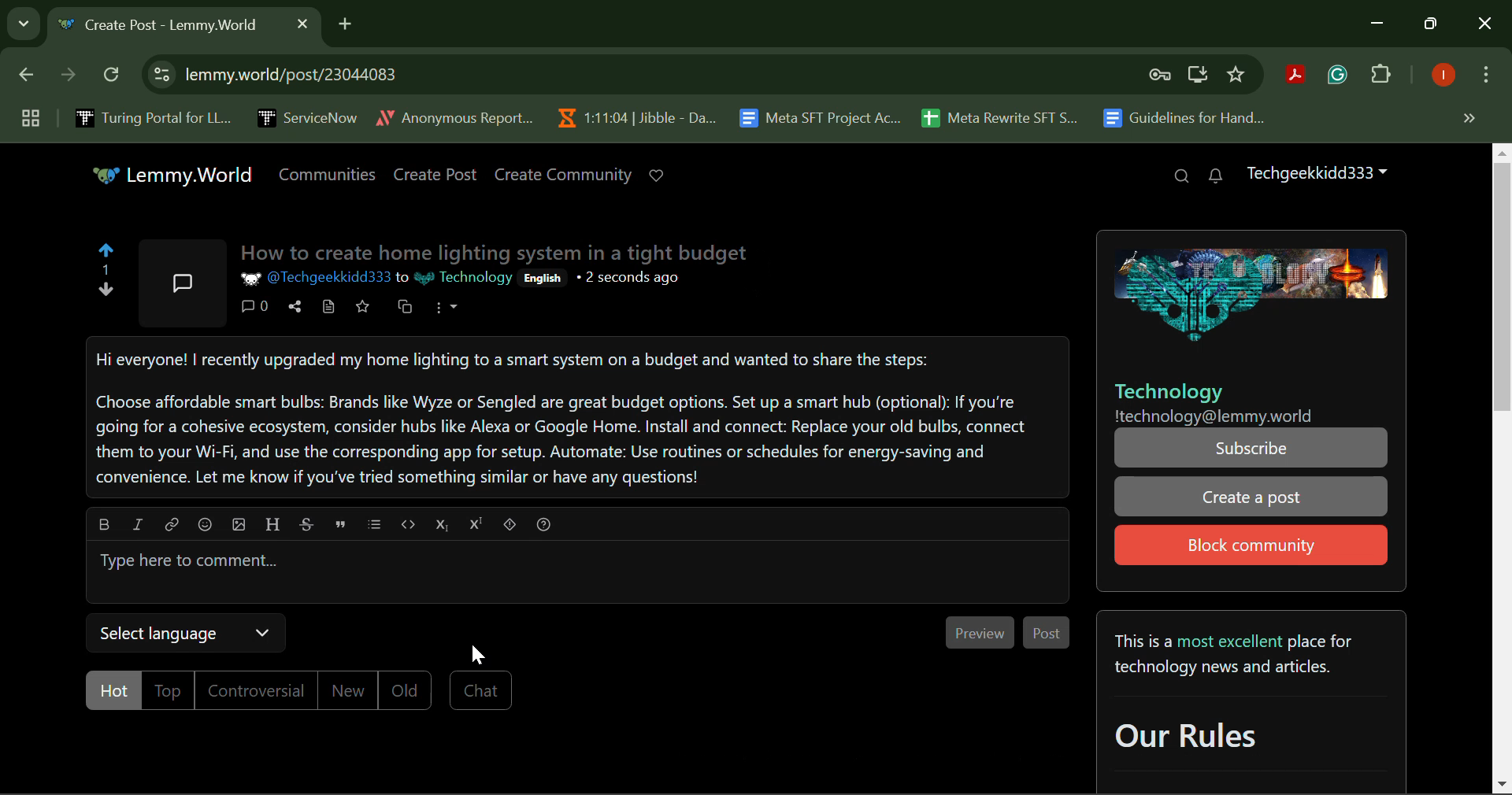 The height and width of the screenshot is (795, 1512). I want to click on emoji, so click(205, 527).